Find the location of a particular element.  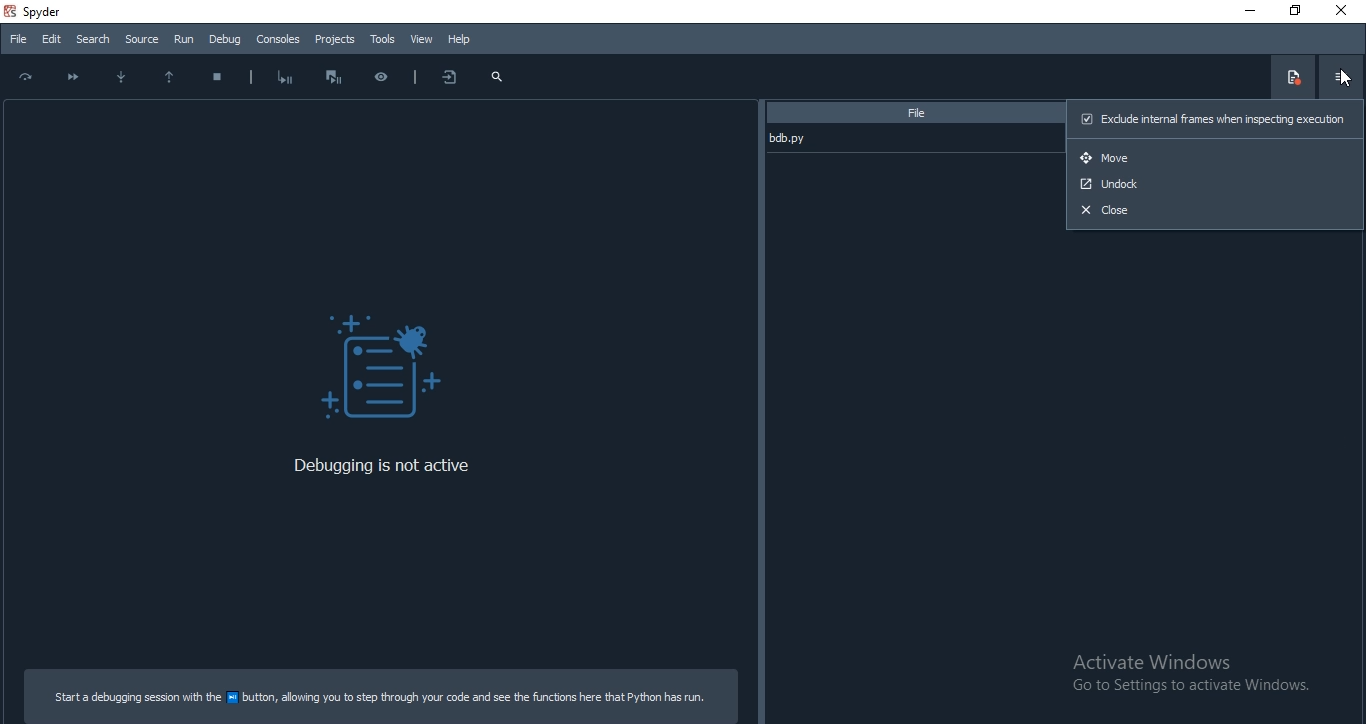

Tools is located at coordinates (381, 38).